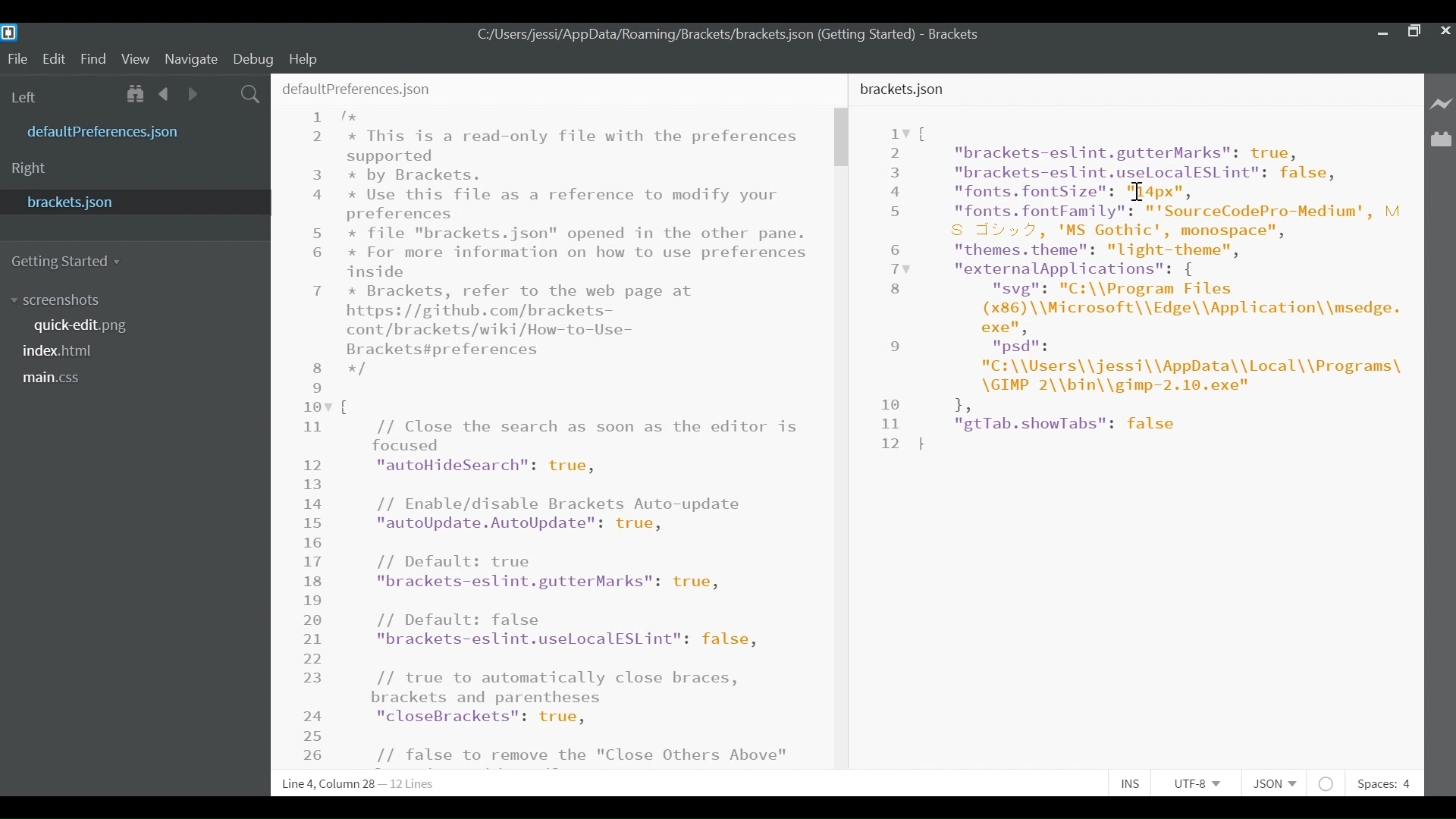  I want to click on bracket.json File, so click(132, 201).